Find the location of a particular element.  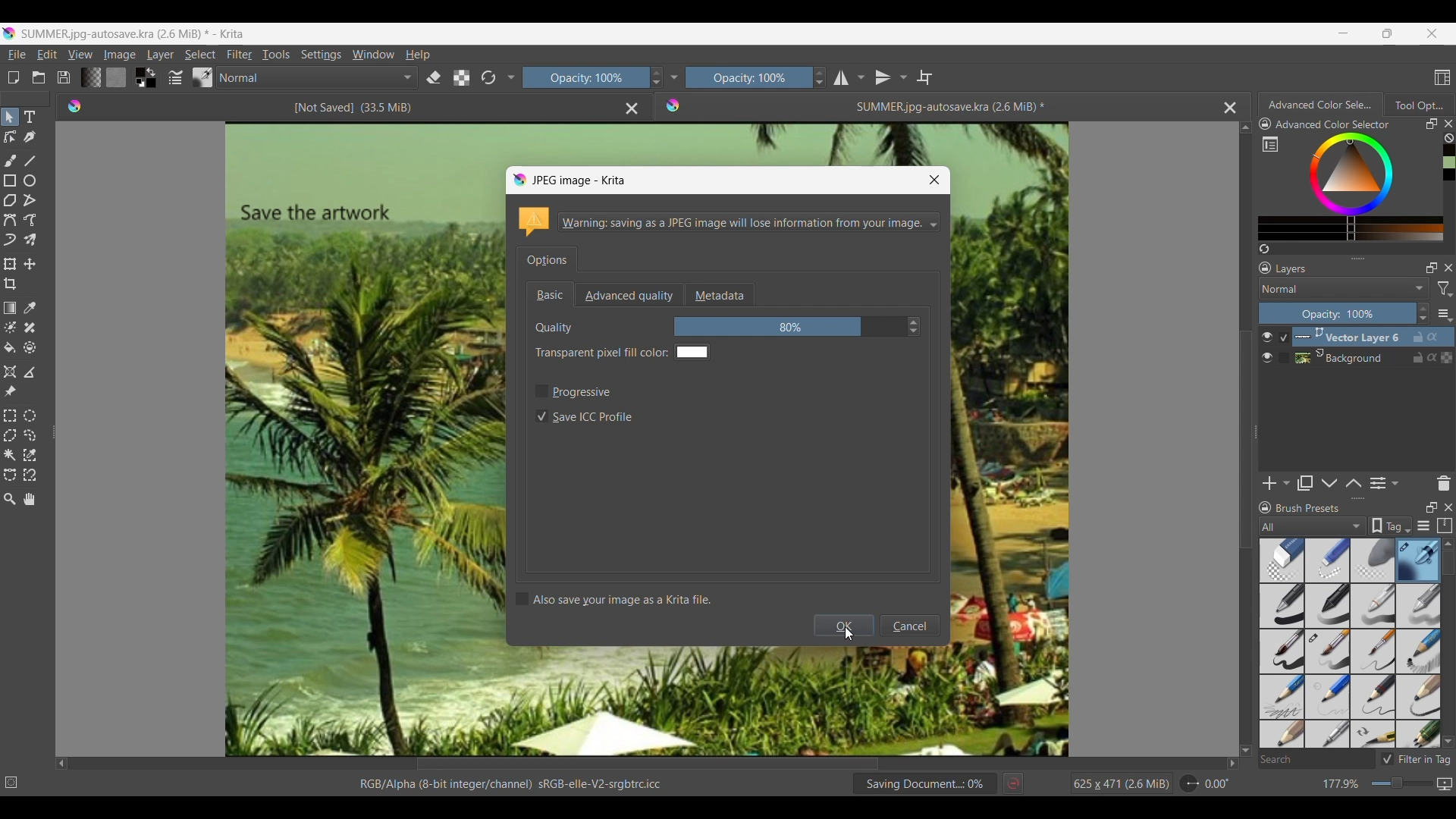

Fill tool is located at coordinates (10, 347).